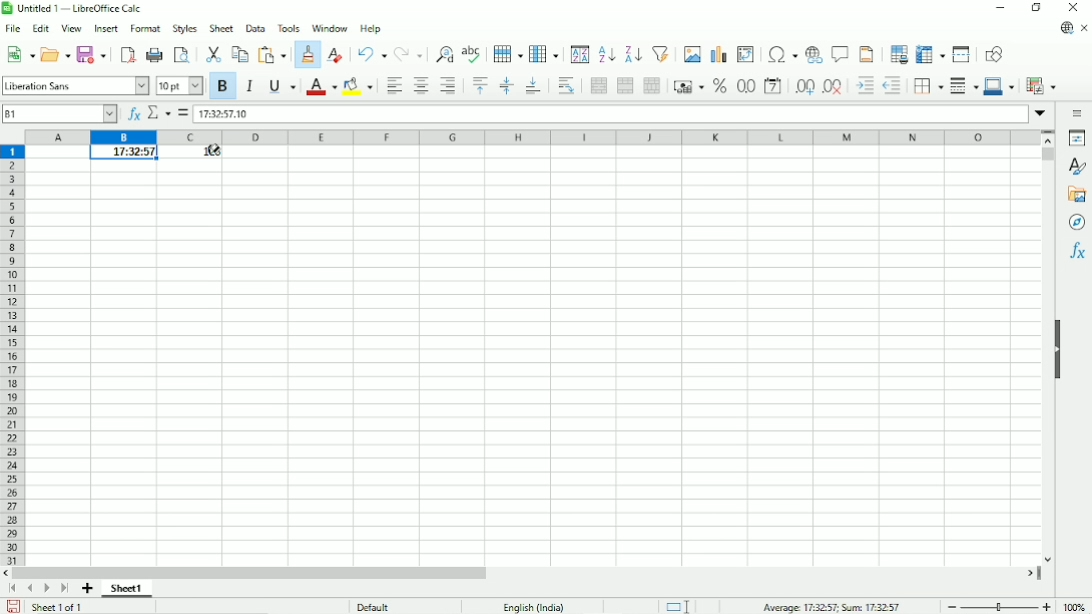 The image size is (1092, 614). I want to click on Sort, so click(578, 55).